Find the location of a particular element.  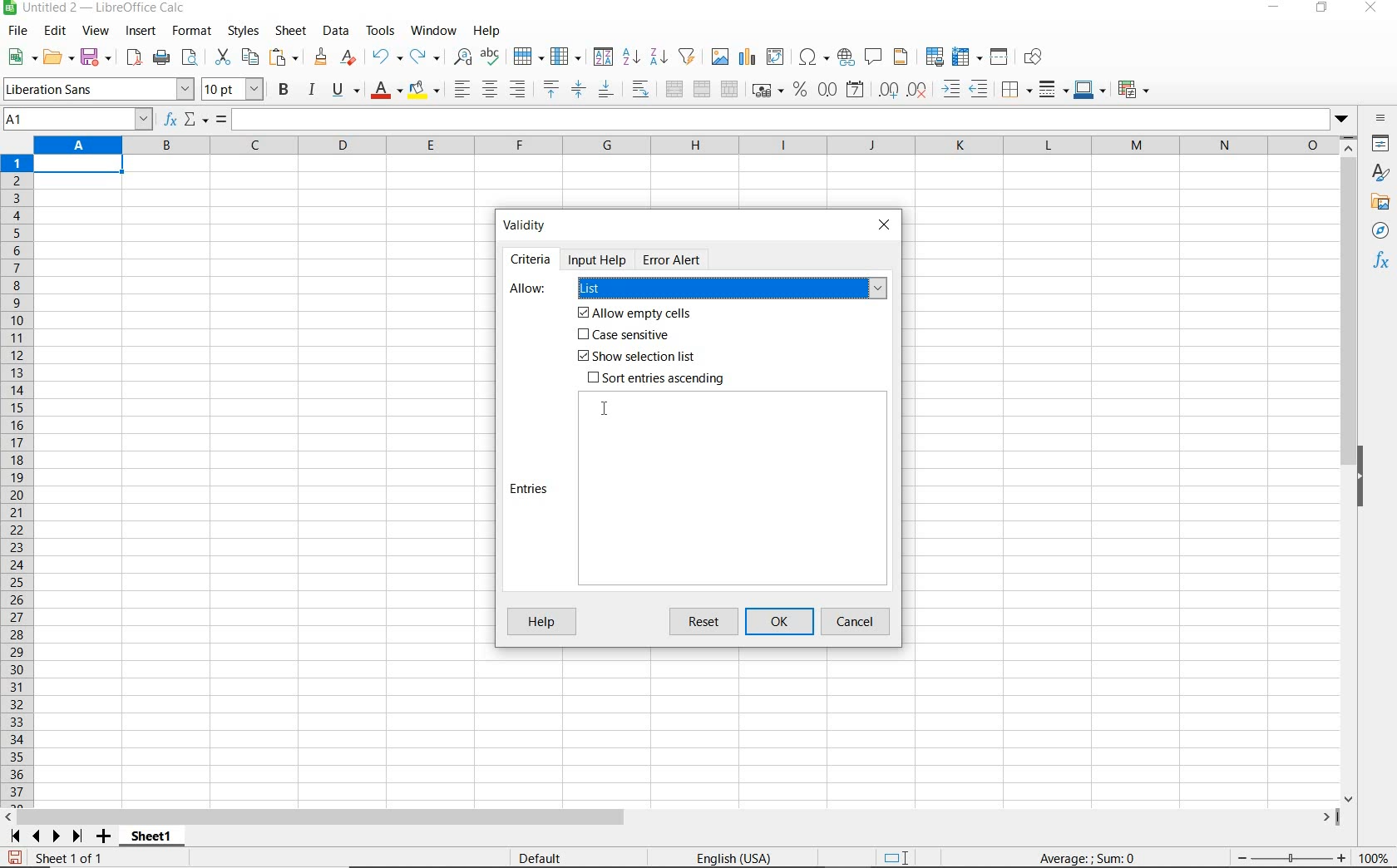

copy is located at coordinates (251, 57).